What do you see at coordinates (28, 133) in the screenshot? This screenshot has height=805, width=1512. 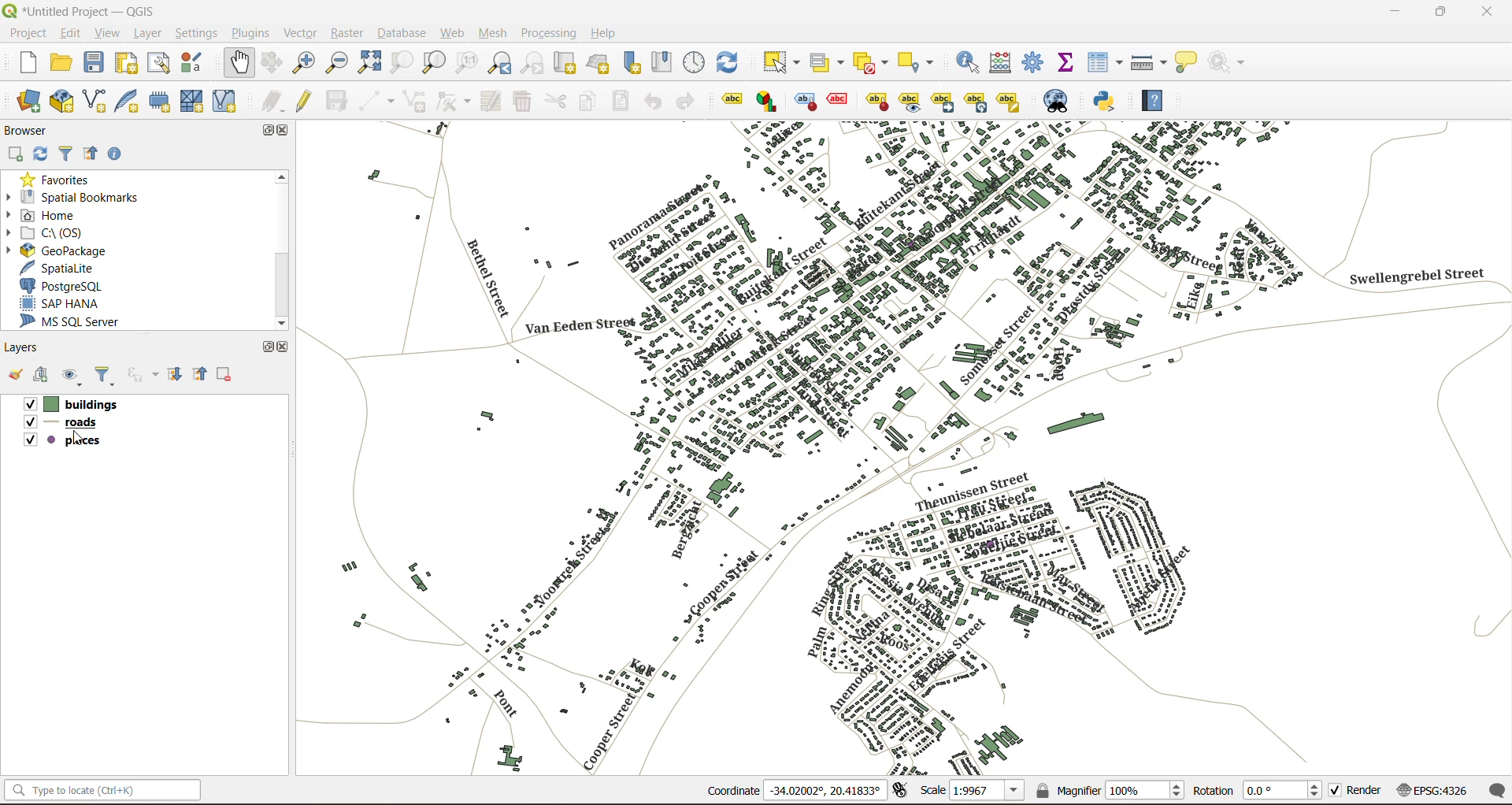 I see `browser` at bounding box center [28, 133].